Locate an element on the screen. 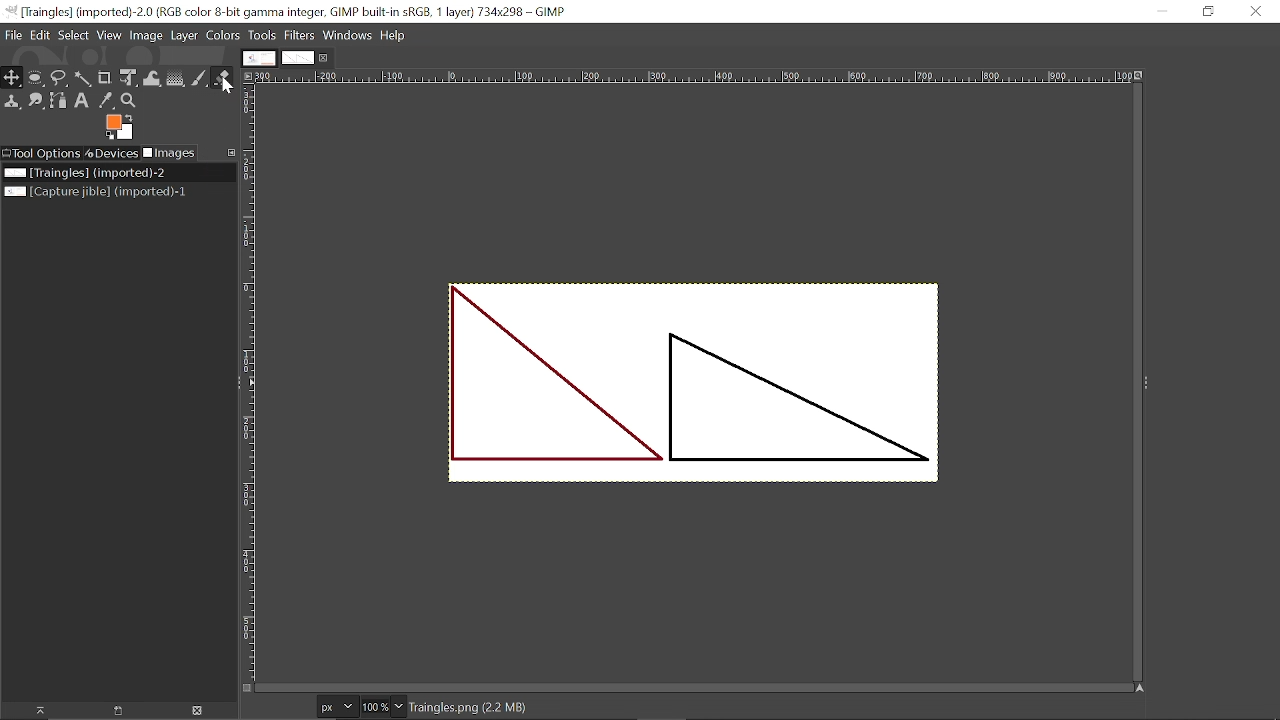 This screenshot has width=1280, height=720. Foreground tool is located at coordinates (121, 127).